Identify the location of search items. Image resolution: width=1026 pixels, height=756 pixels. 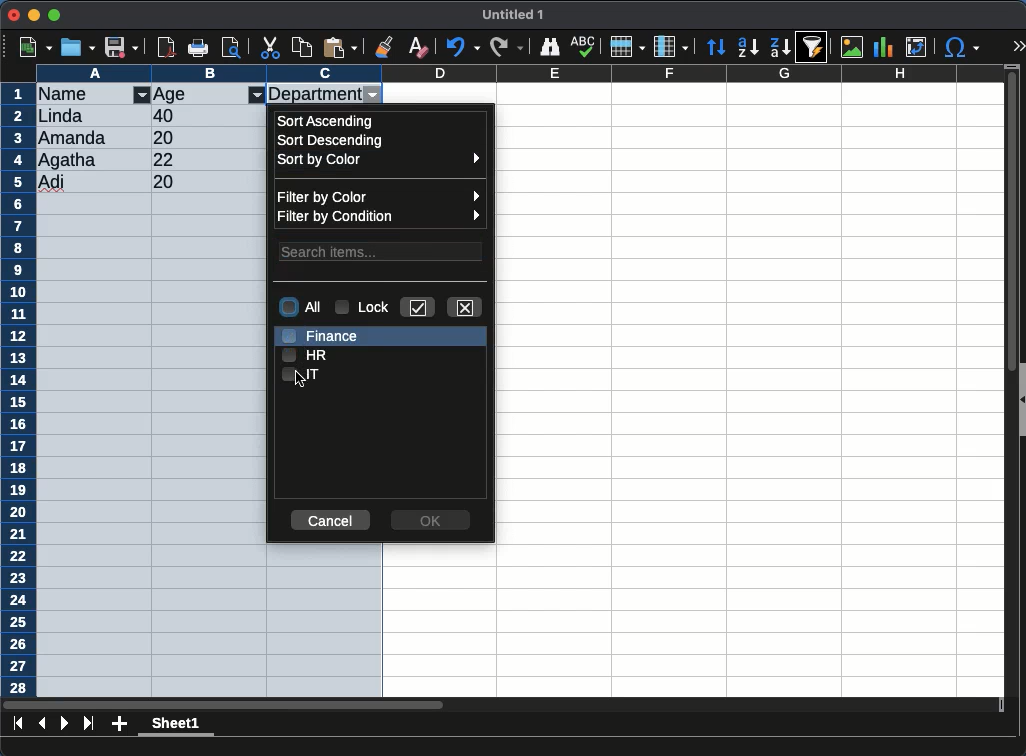
(382, 250).